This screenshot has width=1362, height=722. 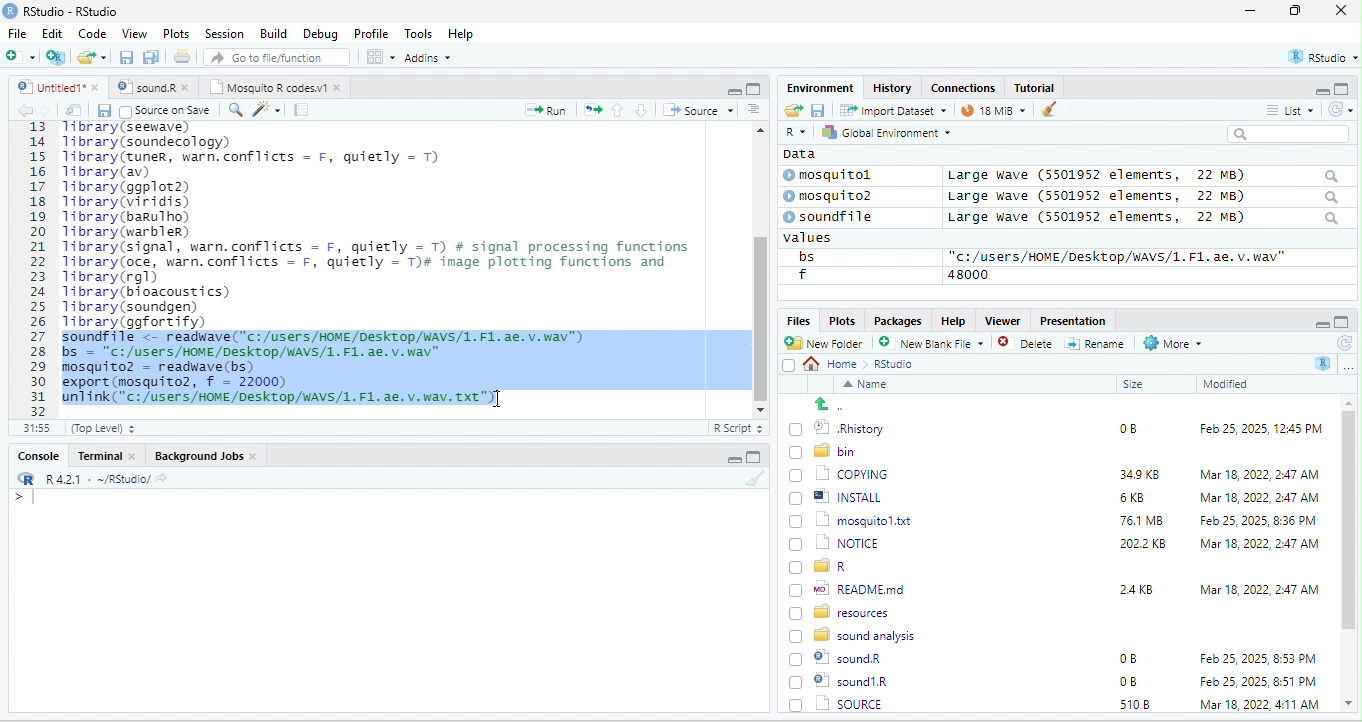 What do you see at coordinates (895, 364) in the screenshot?
I see `Rstudio` at bounding box center [895, 364].